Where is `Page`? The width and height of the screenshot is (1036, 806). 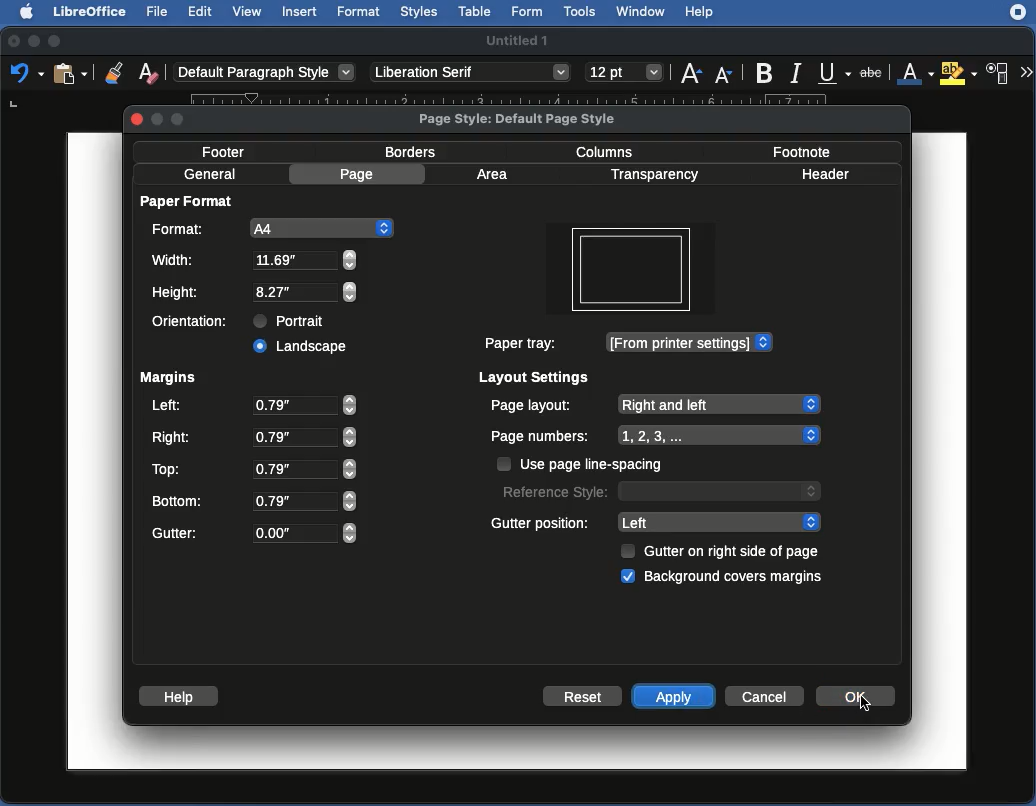
Page is located at coordinates (359, 176).